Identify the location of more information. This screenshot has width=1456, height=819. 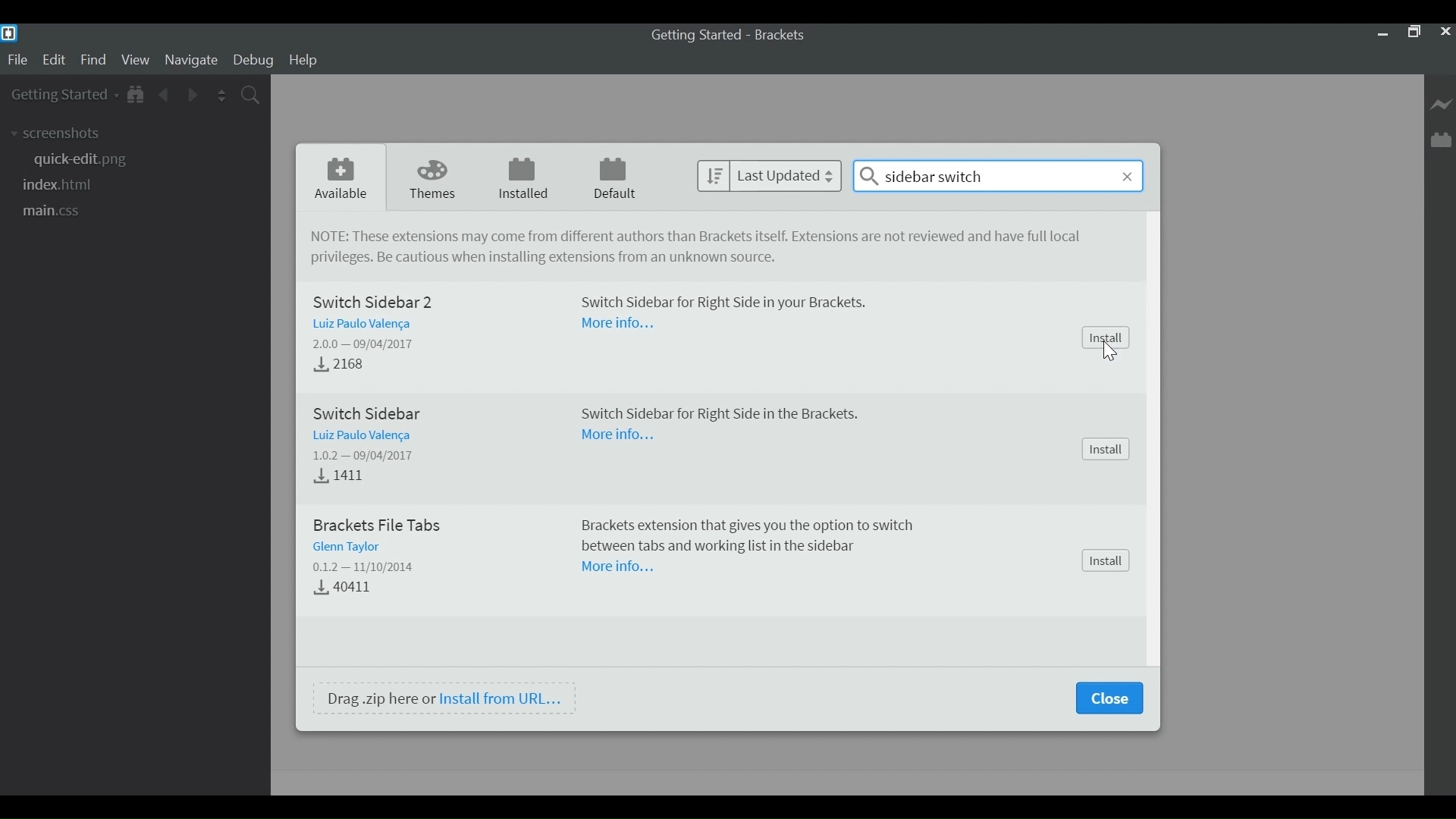
(621, 436).